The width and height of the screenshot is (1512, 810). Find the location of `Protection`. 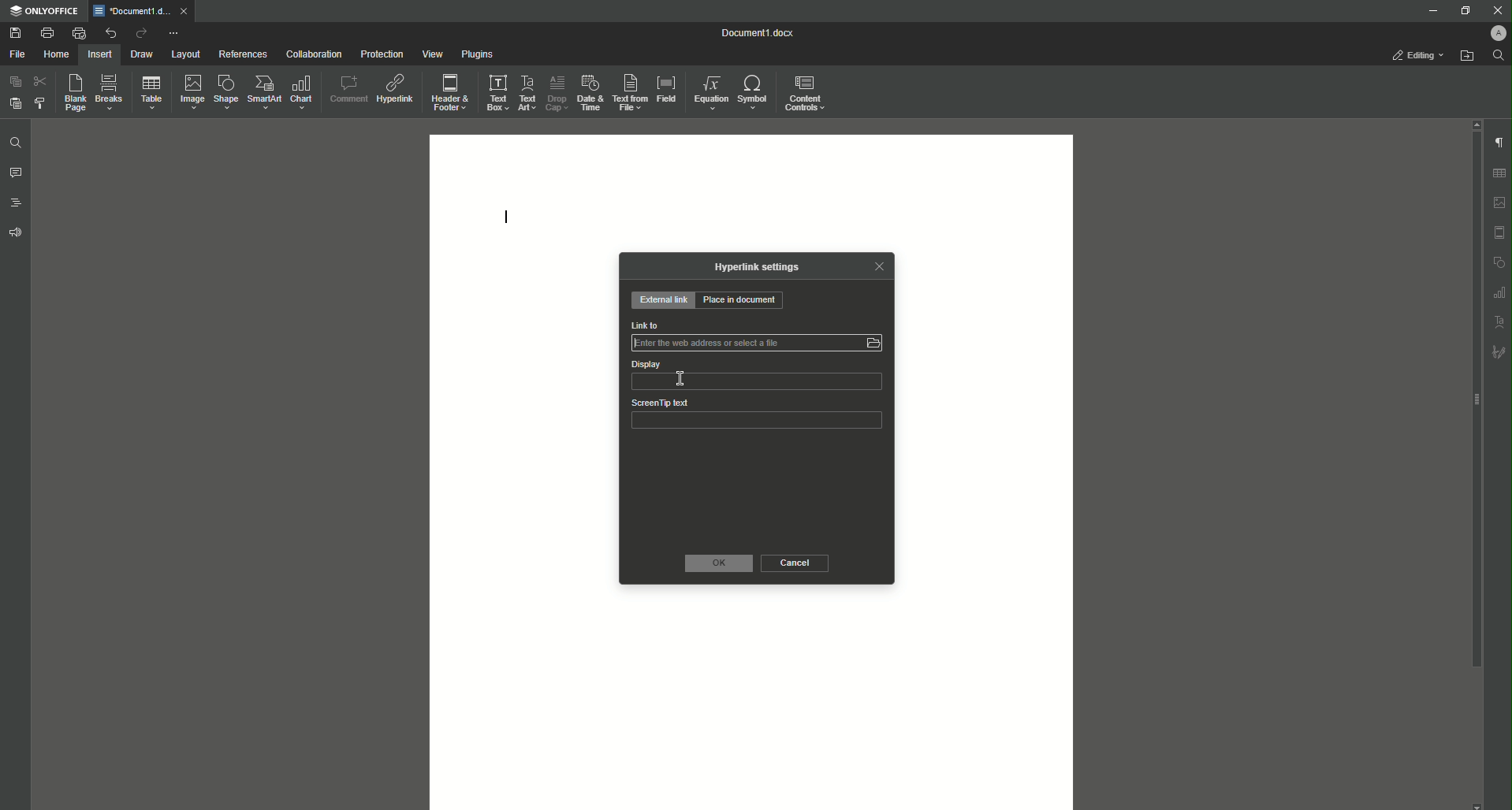

Protection is located at coordinates (382, 55).